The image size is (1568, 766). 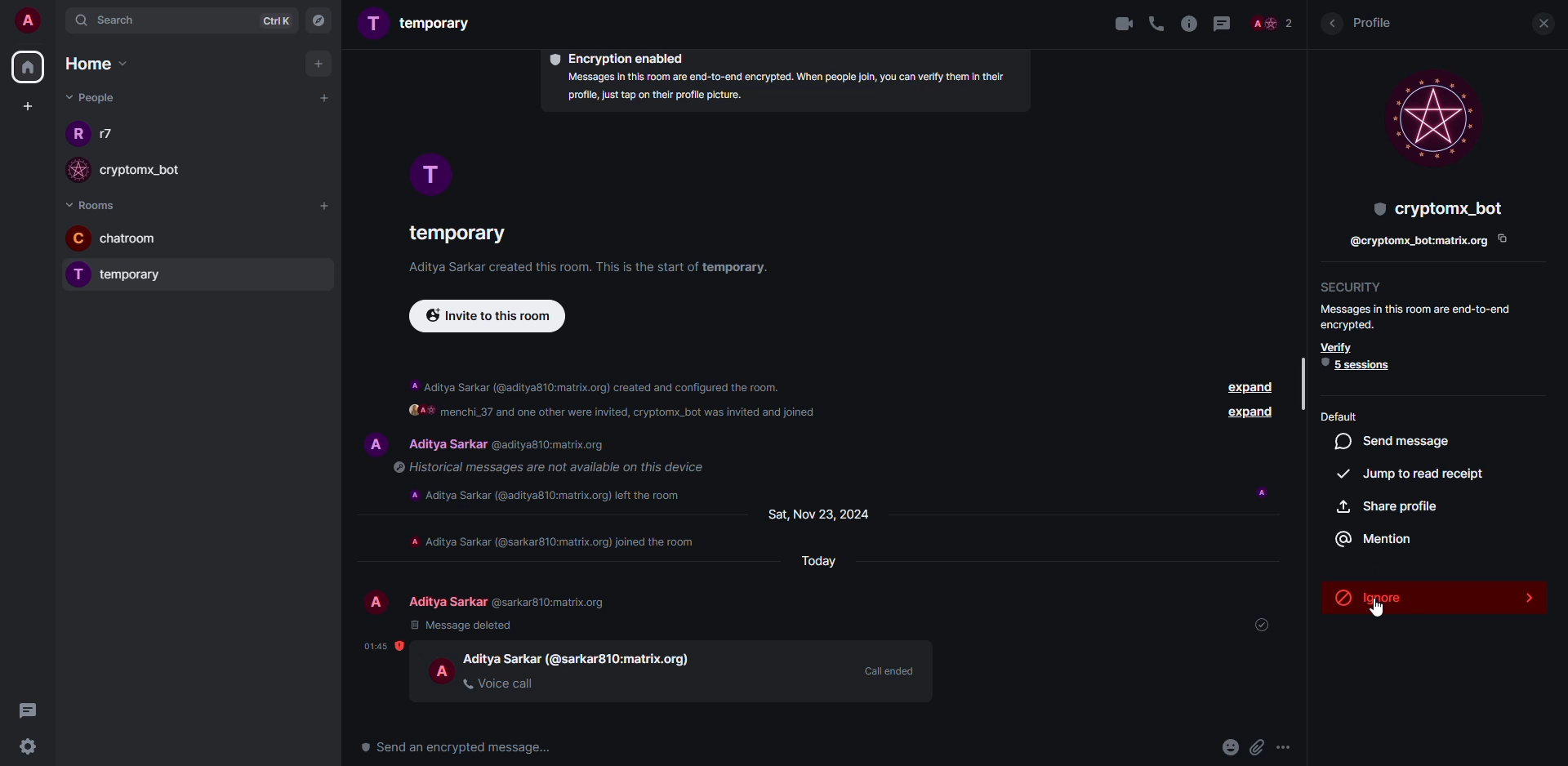 What do you see at coordinates (510, 602) in the screenshot?
I see `people` at bounding box center [510, 602].